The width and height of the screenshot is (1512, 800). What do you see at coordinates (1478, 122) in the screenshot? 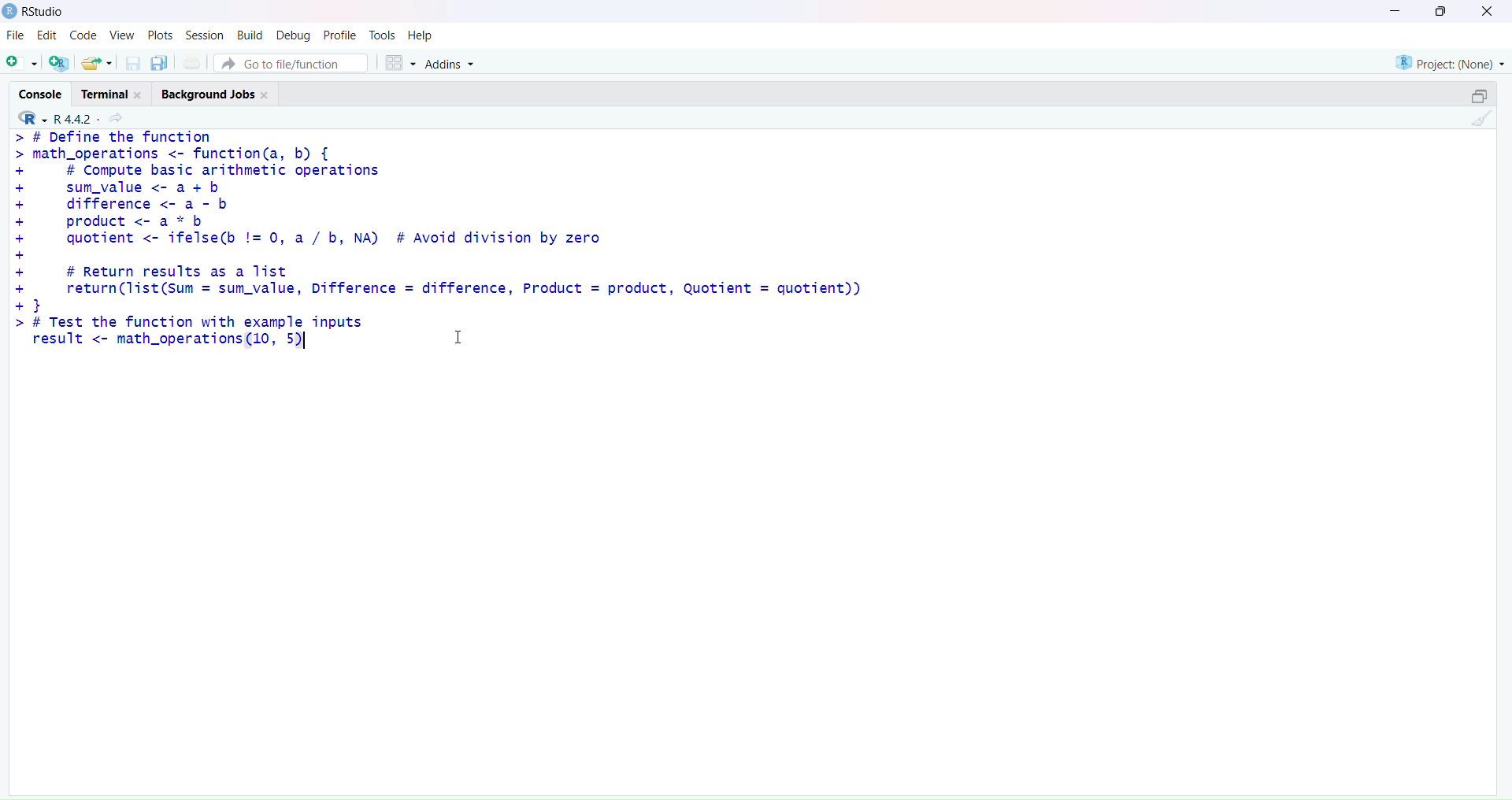
I see `Clear console (Ctrl +L)` at bounding box center [1478, 122].